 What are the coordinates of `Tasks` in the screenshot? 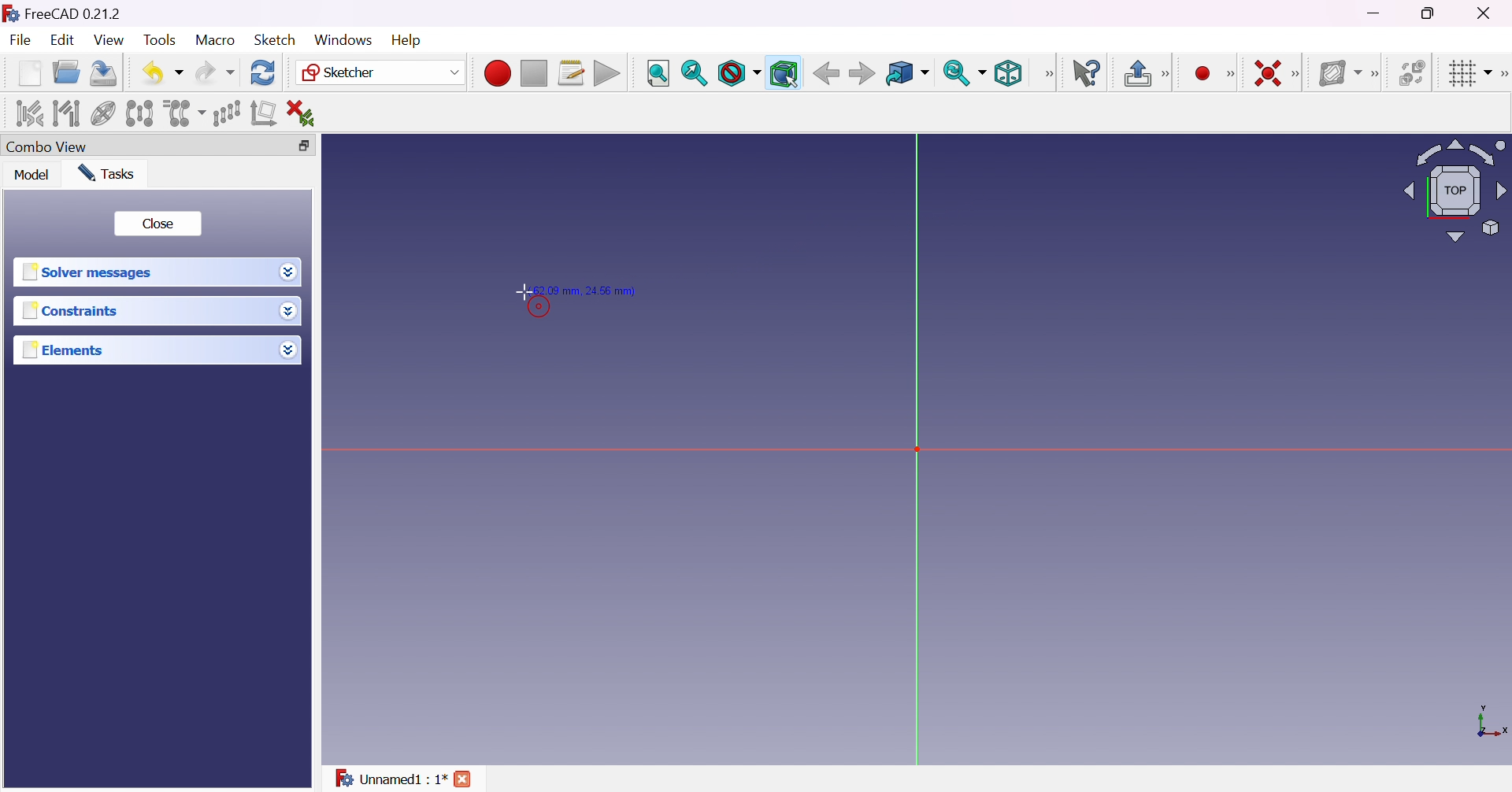 It's located at (106, 172).